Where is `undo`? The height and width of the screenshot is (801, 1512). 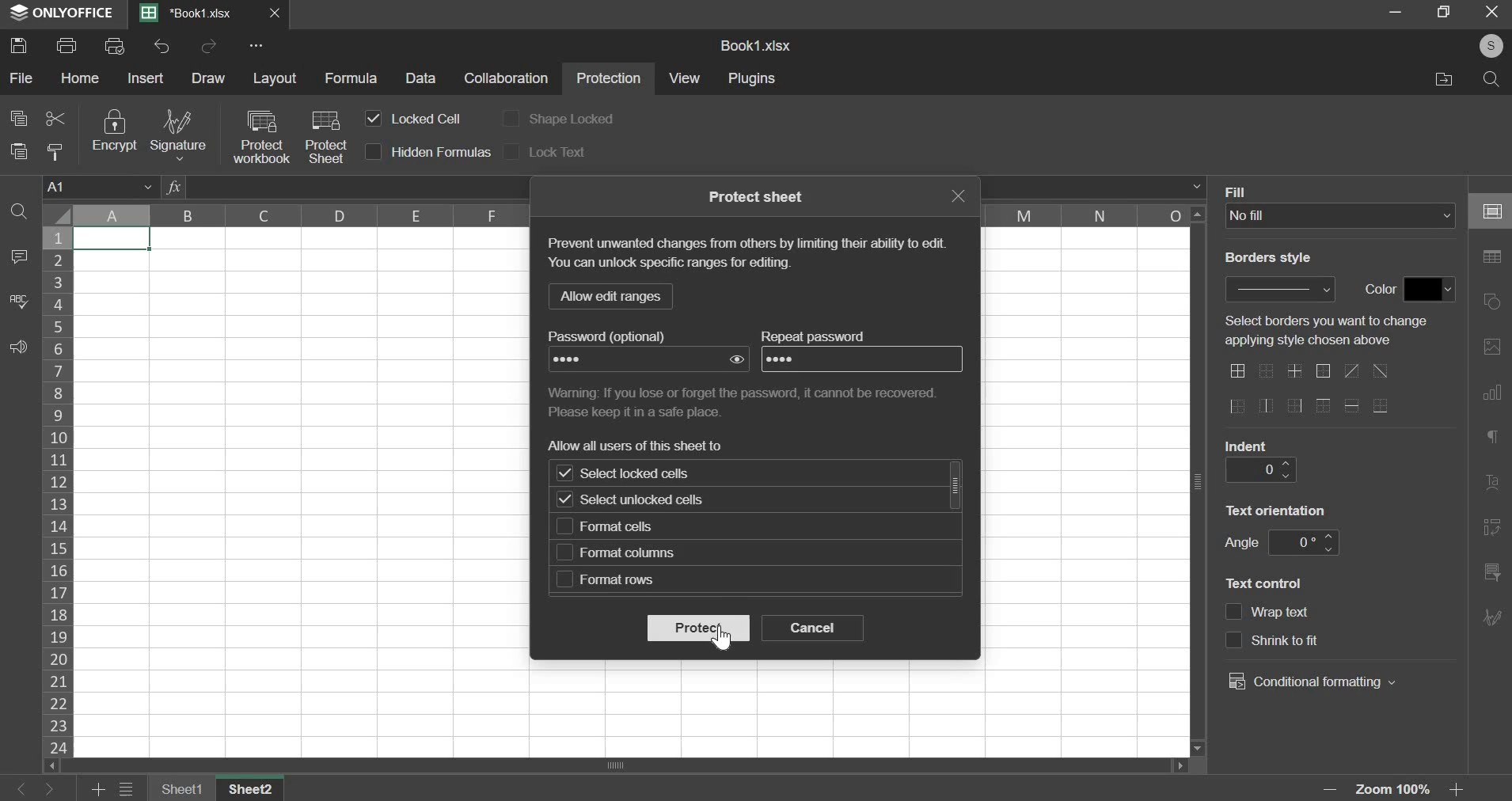 undo is located at coordinates (162, 46).